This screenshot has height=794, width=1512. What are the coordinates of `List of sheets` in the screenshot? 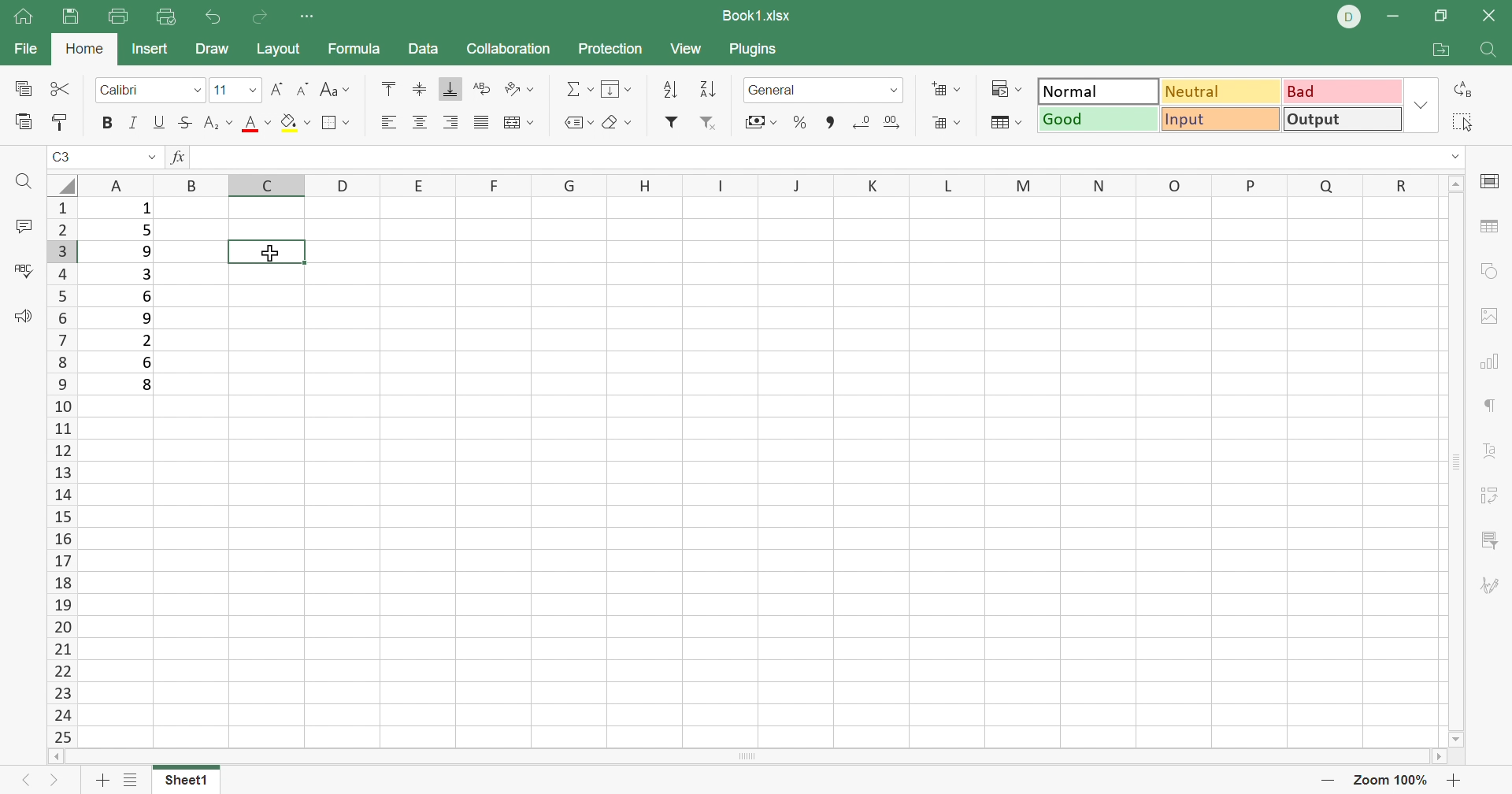 It's located at (132, 780).